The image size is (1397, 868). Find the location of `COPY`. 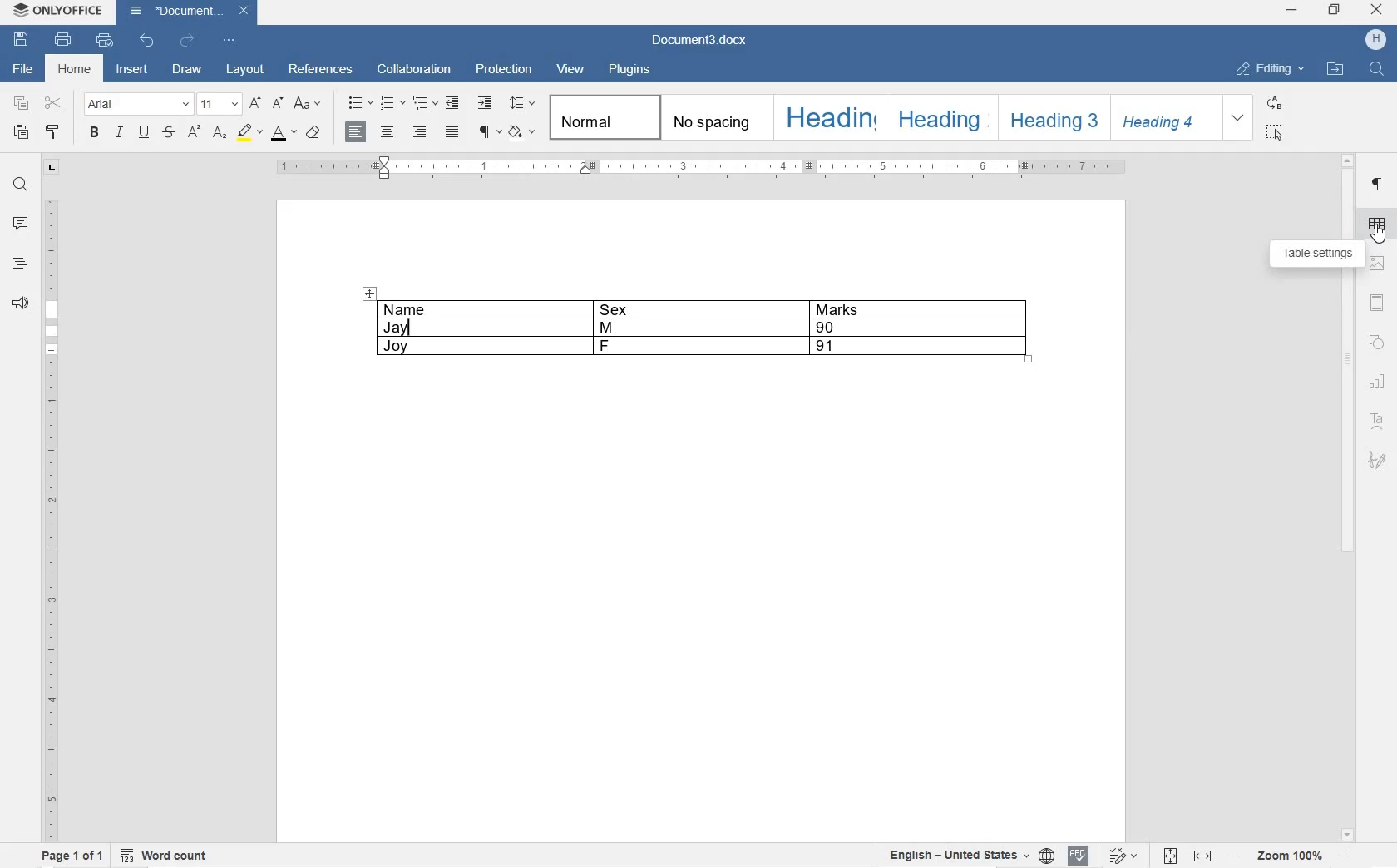

COPY is located at coordinates (21, 104).